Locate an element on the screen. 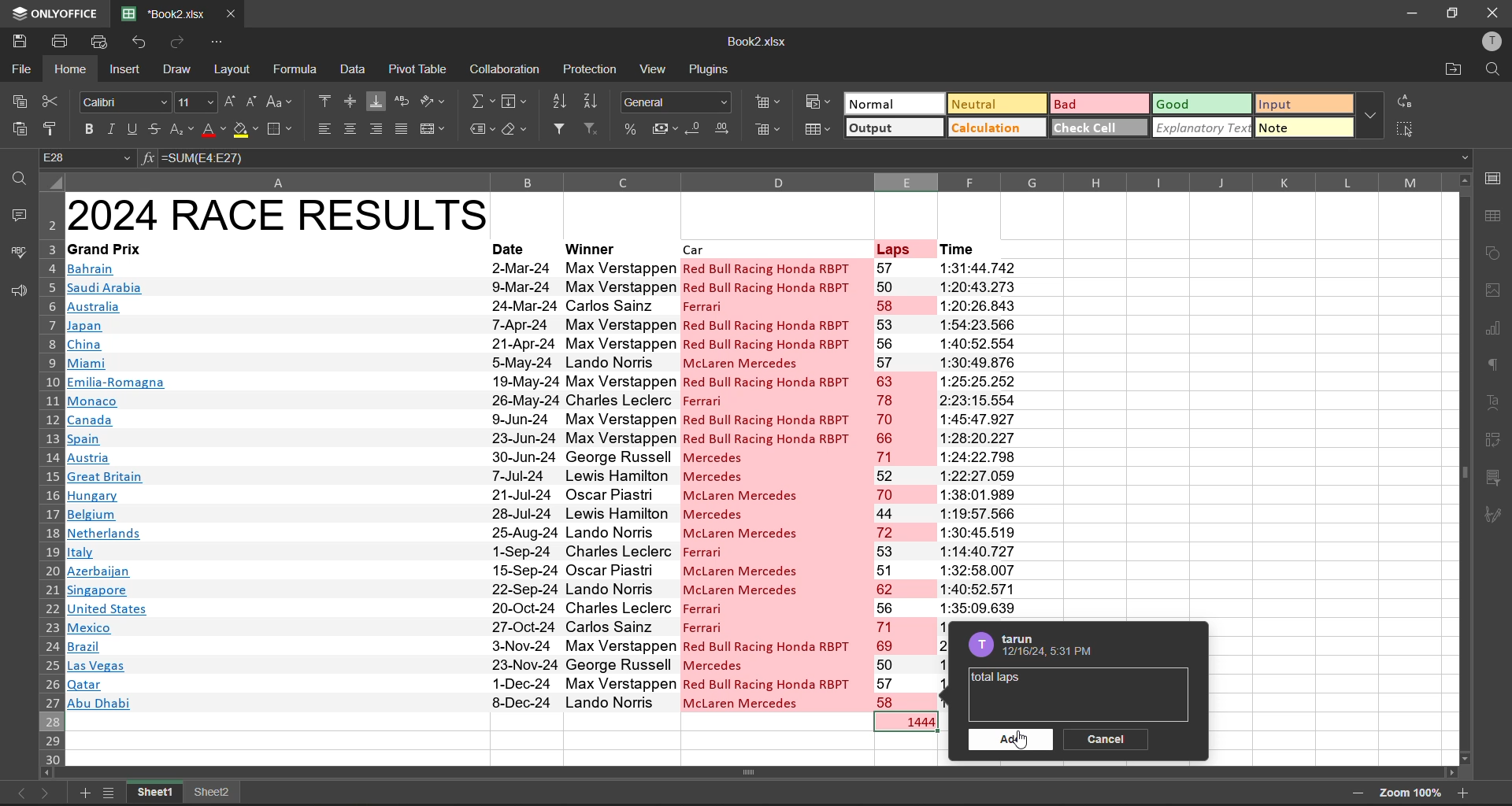  next is located at coordinates (47, 792).